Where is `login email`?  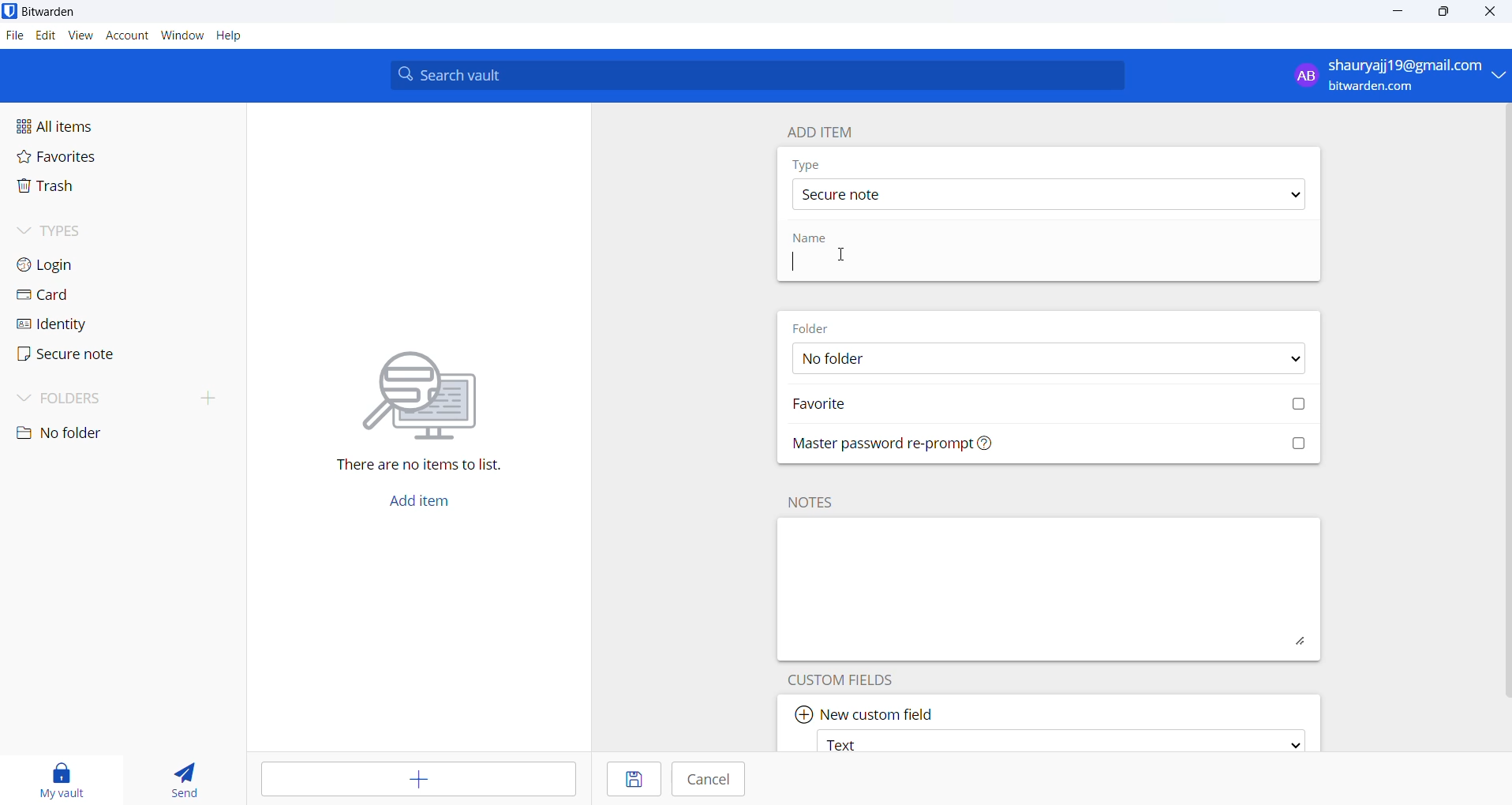 login email is located at coordinates (1386, 76).